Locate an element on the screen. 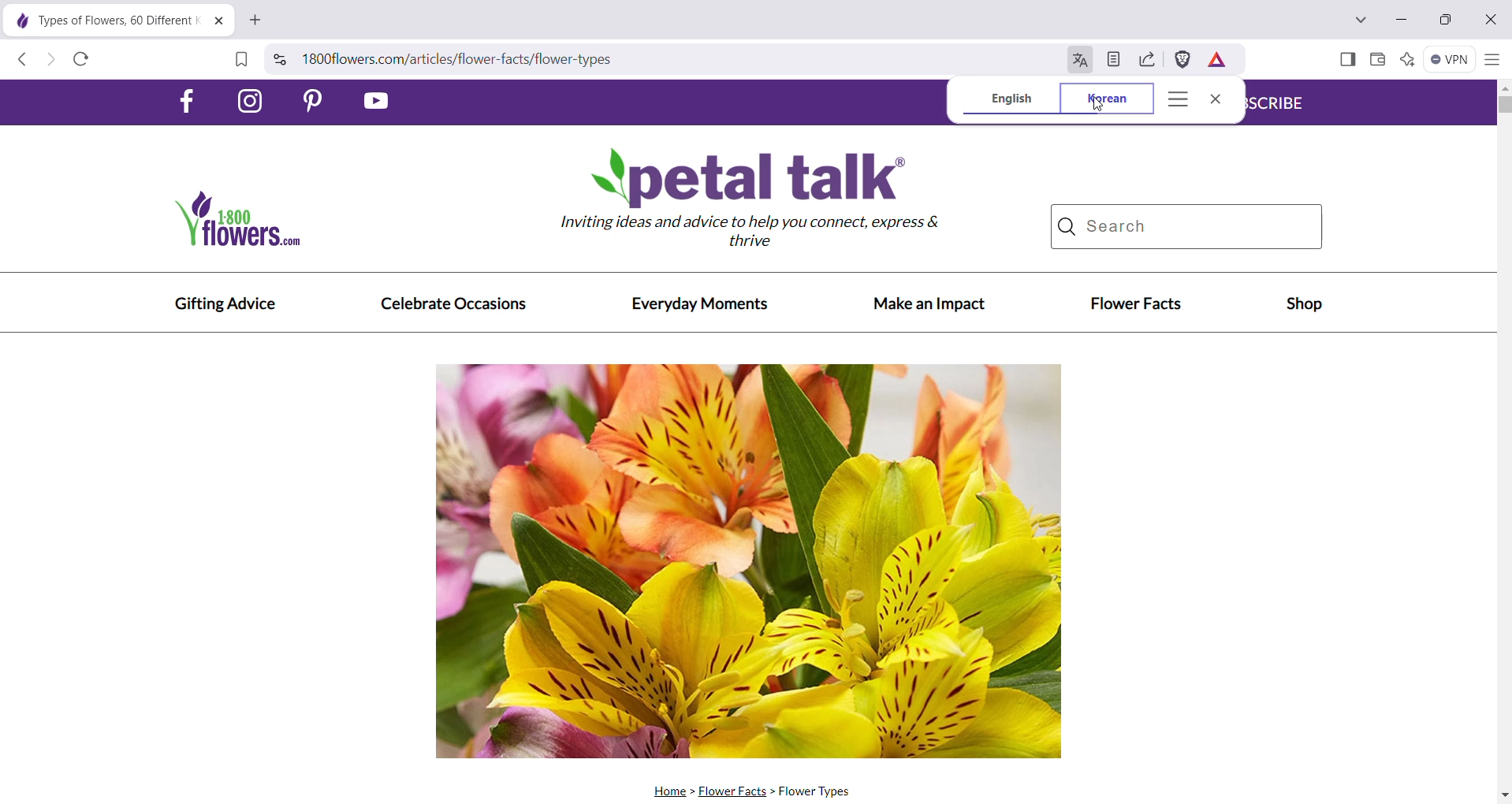 Image resolution: width=1512 pixels, height=804 pixels. Translate this page is located at coordinates (1076, 61).